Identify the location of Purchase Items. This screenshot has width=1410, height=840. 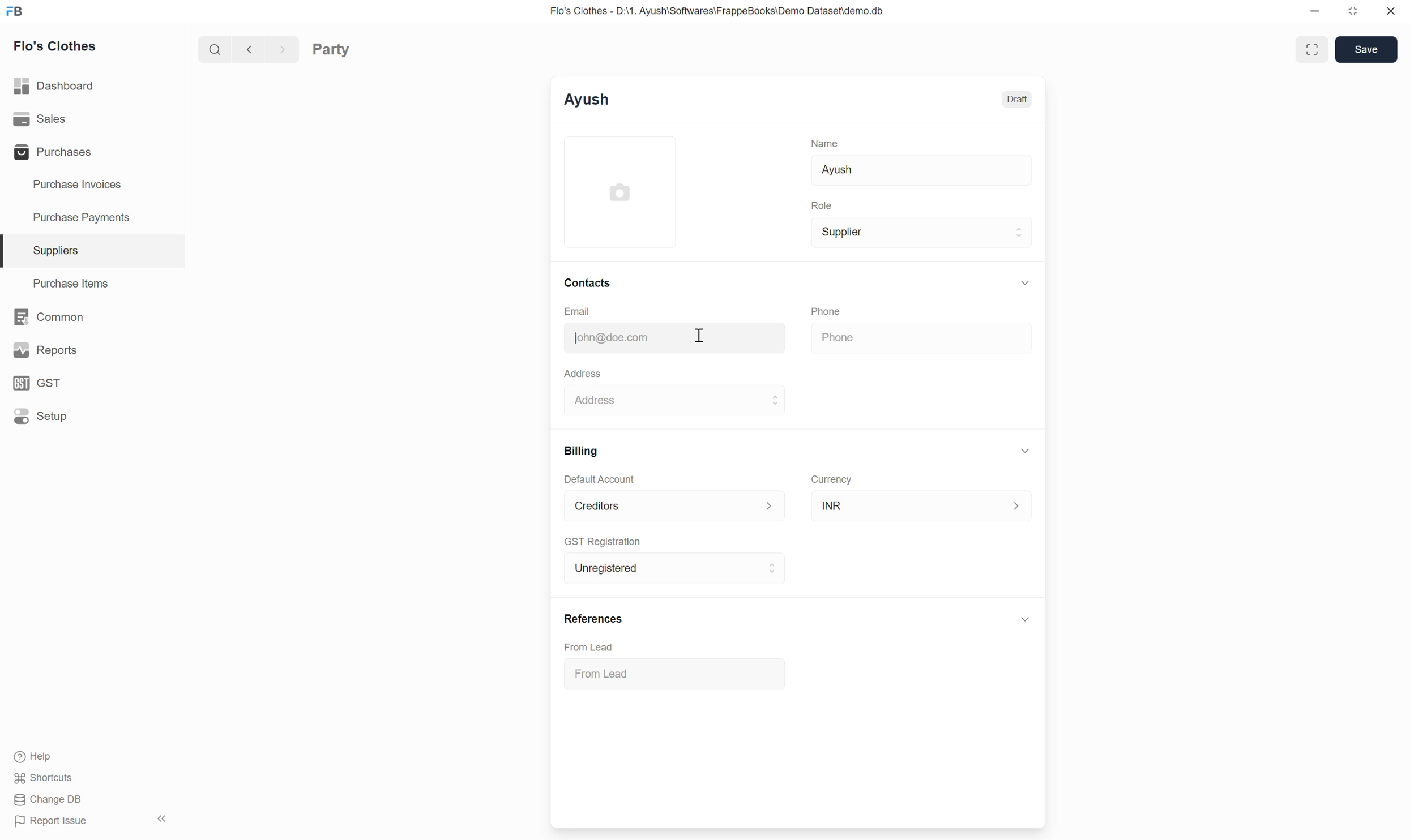
(92, 284).